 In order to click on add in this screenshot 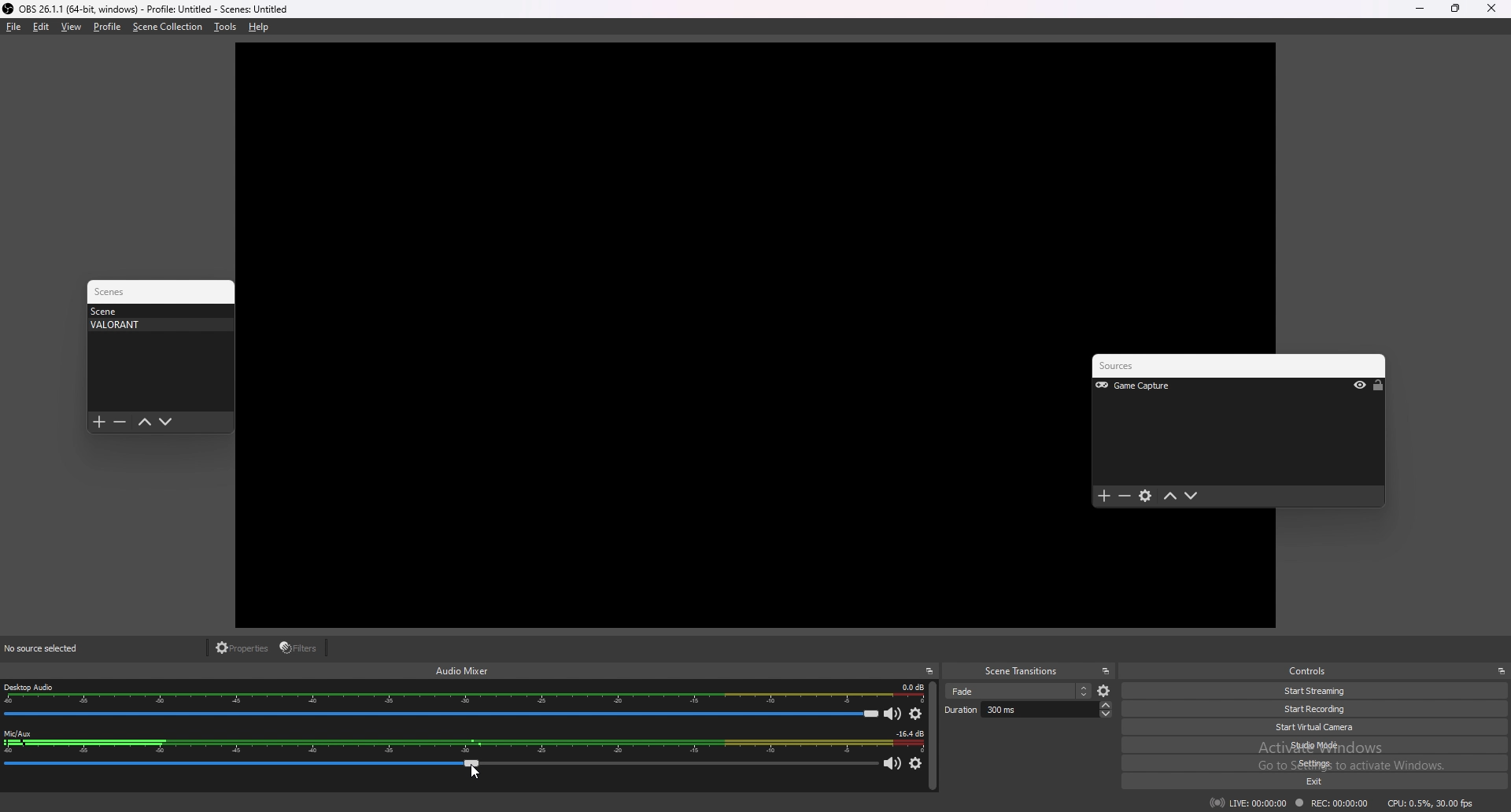, I will do `click(99, 423)`.